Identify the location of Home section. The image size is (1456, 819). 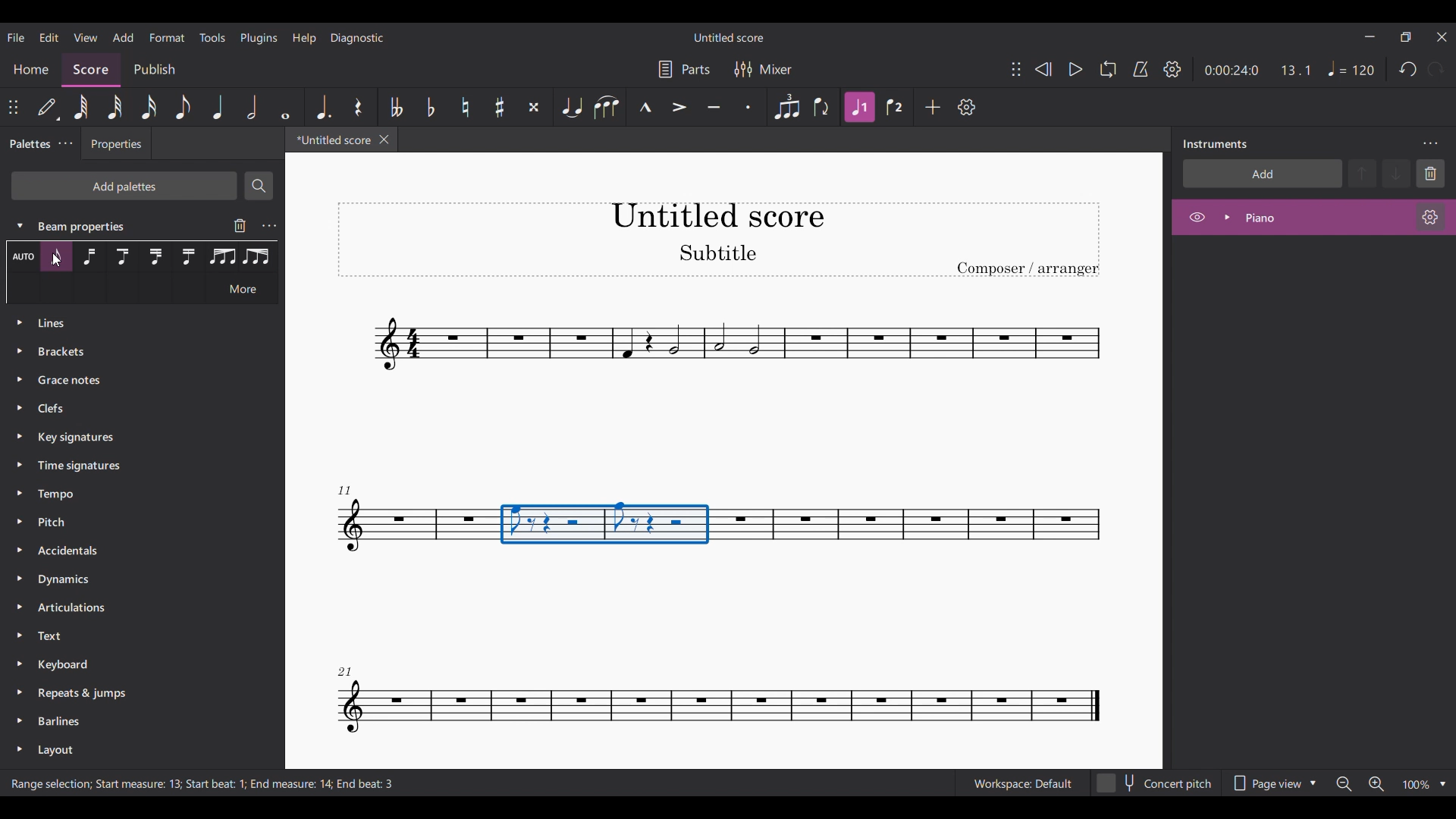
(31, 69).